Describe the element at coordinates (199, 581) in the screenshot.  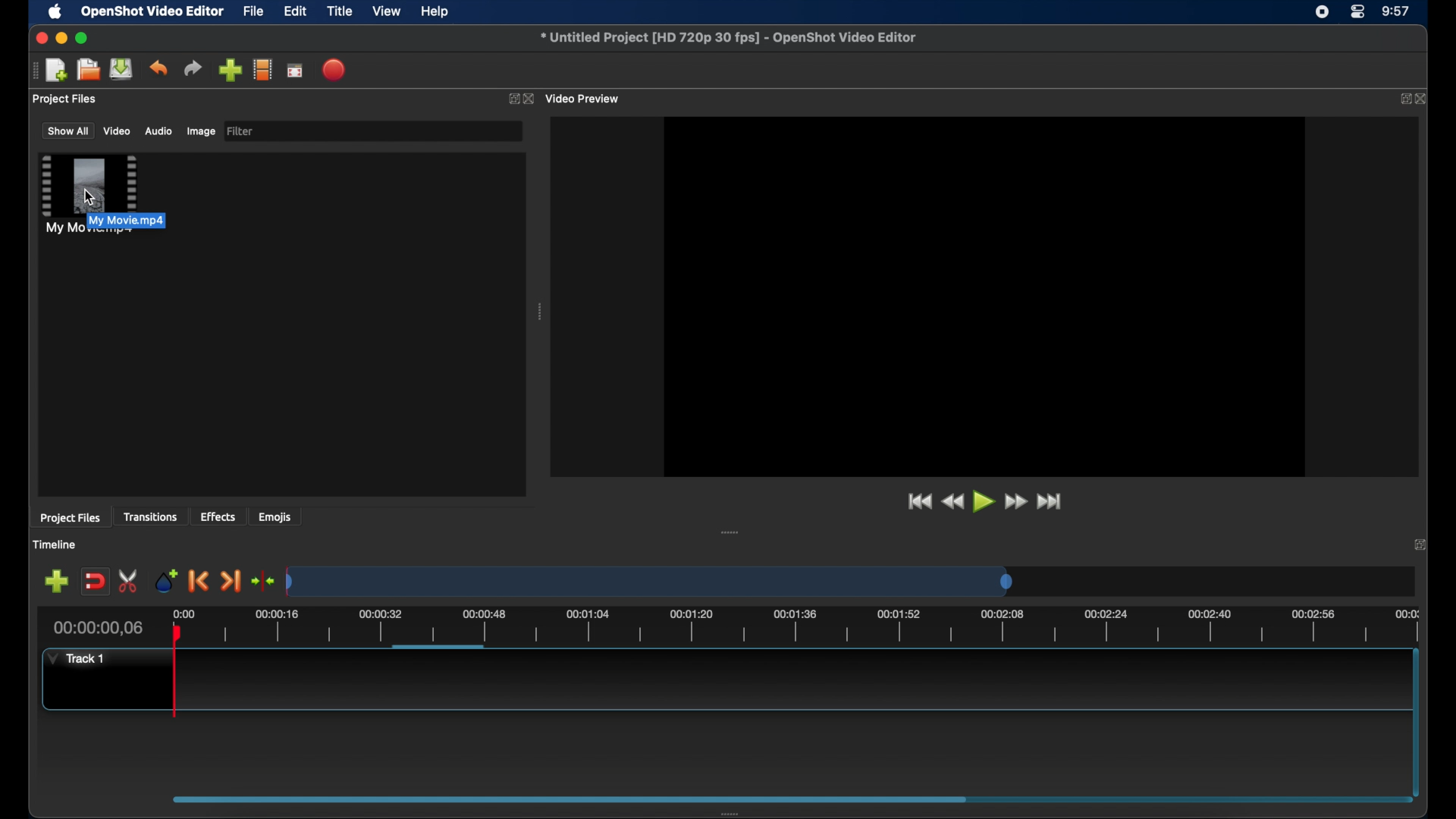
I see `previous marker` at that location.